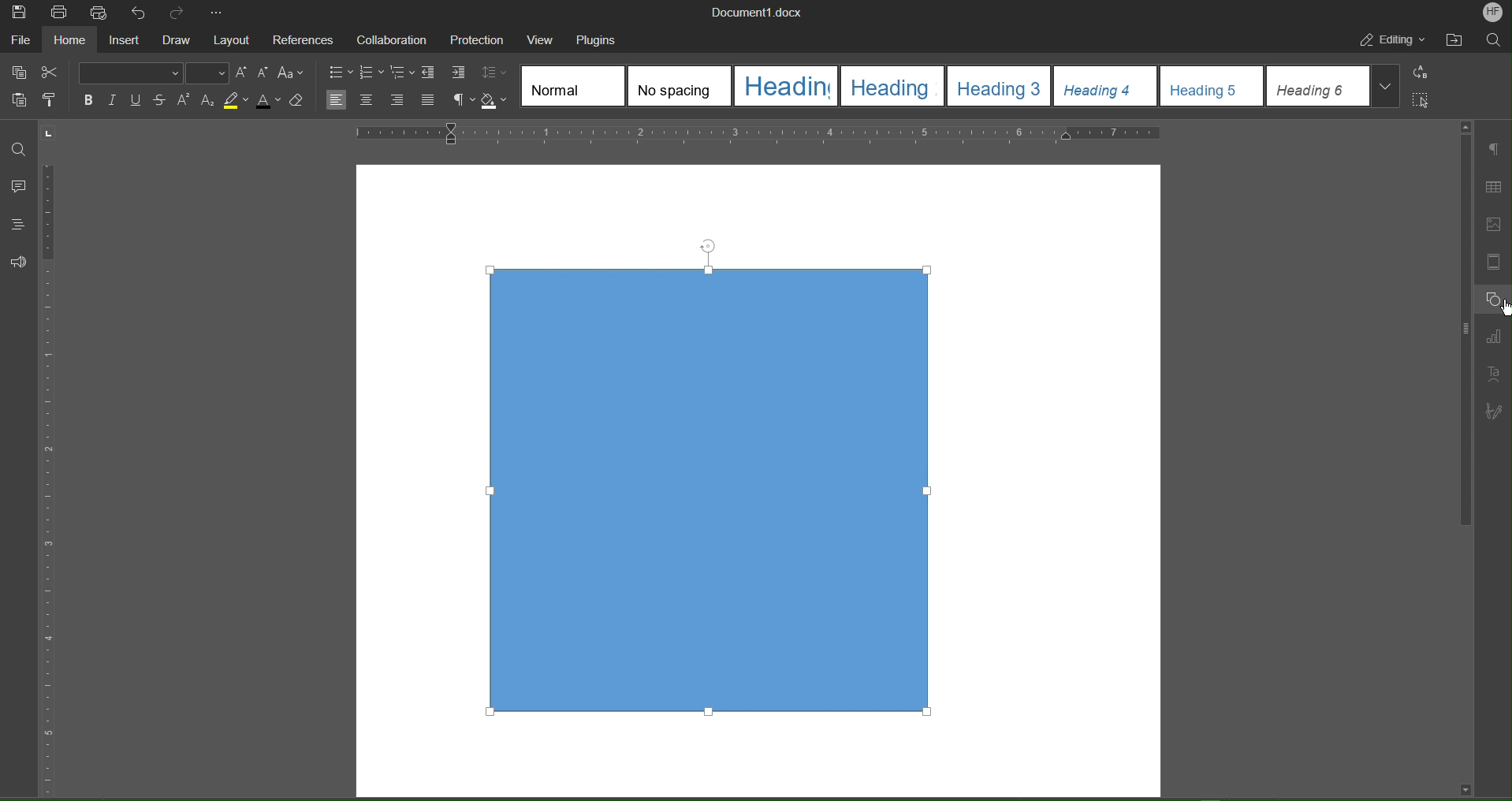 Image resolution: width=1512 pixels, height=801 pixels. I want to click on Nested List, so click(404, 73).